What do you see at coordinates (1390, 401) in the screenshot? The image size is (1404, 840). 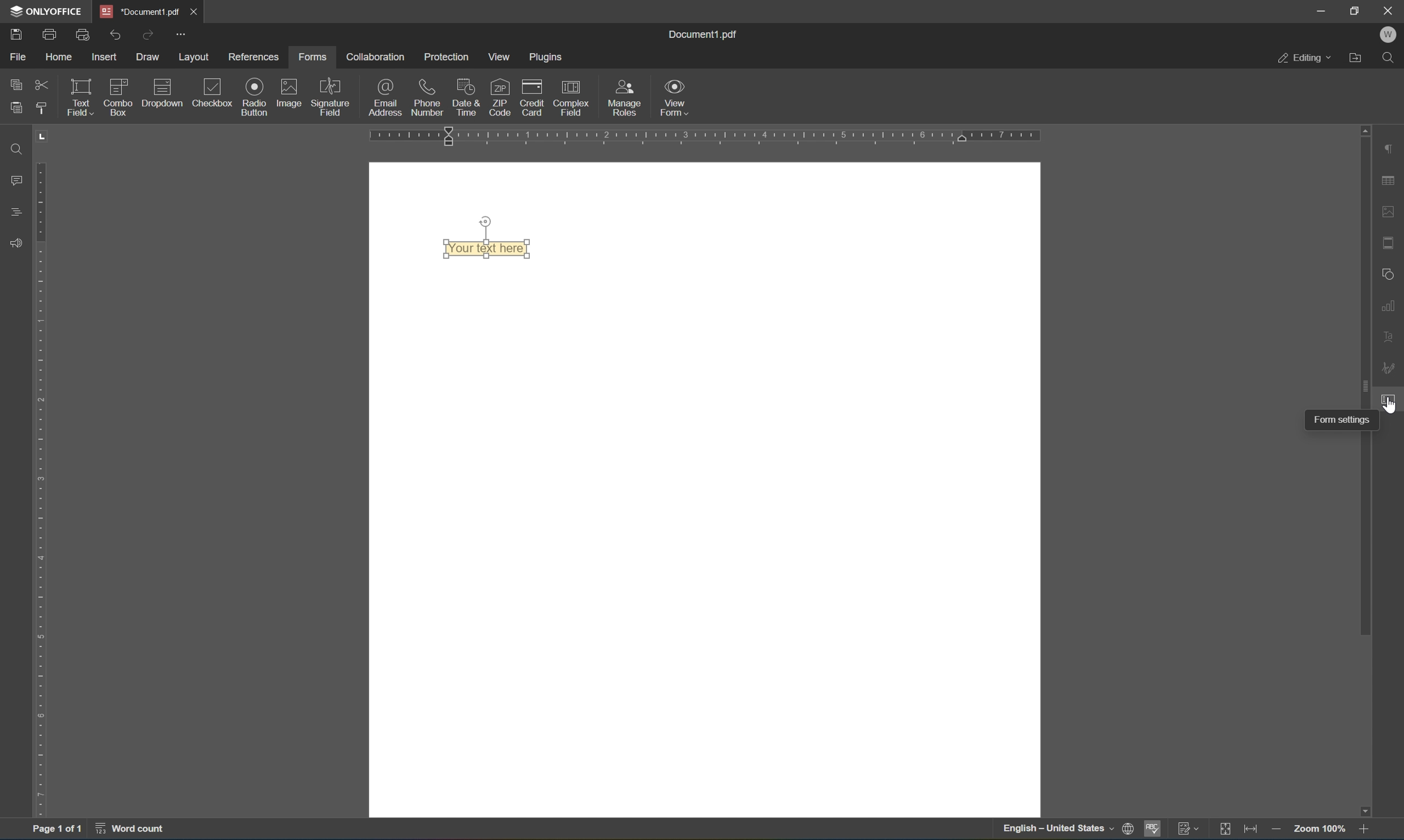 I see `cursor` at bounding box center [1390, 401].